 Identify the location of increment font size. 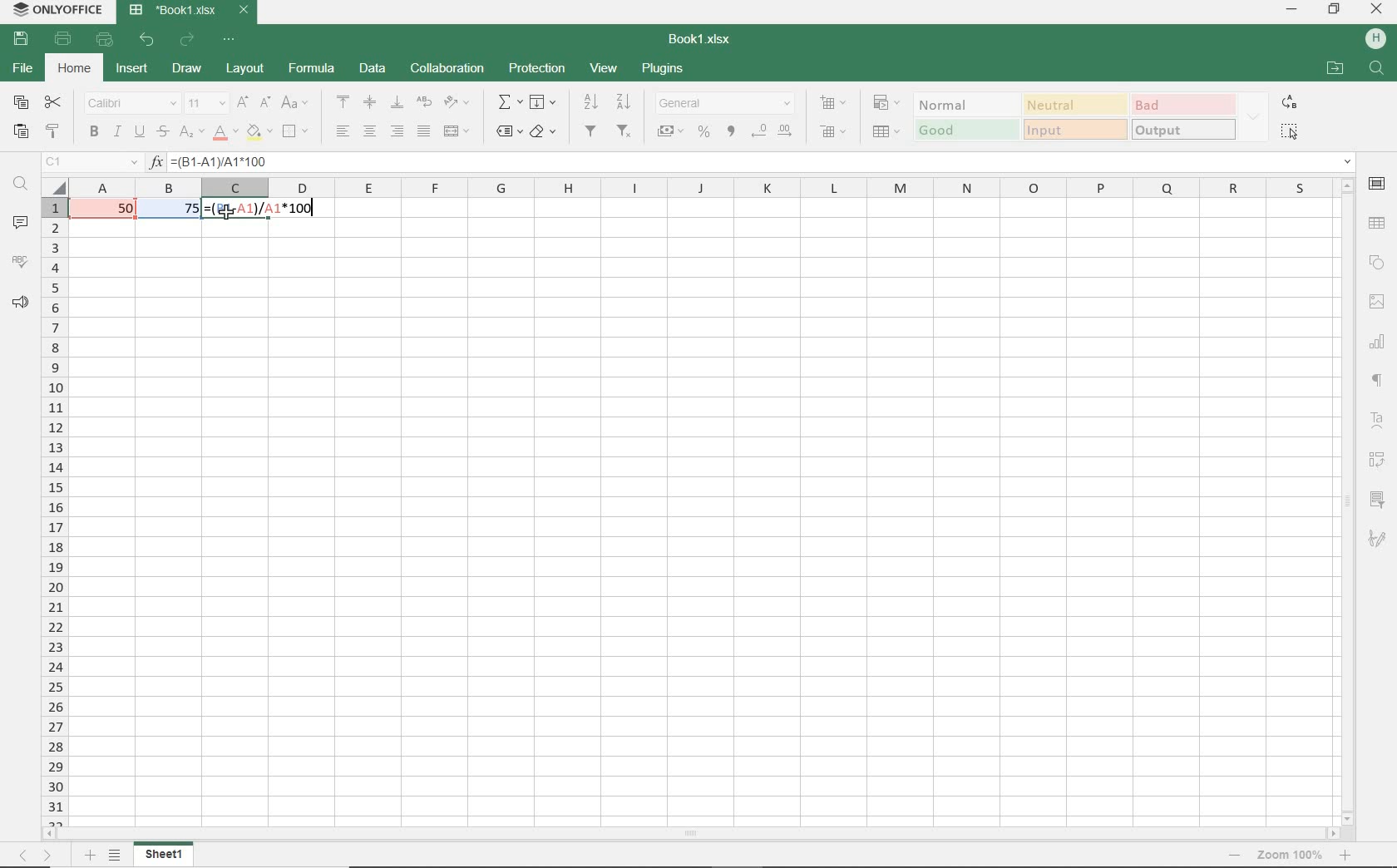
(243, 101).